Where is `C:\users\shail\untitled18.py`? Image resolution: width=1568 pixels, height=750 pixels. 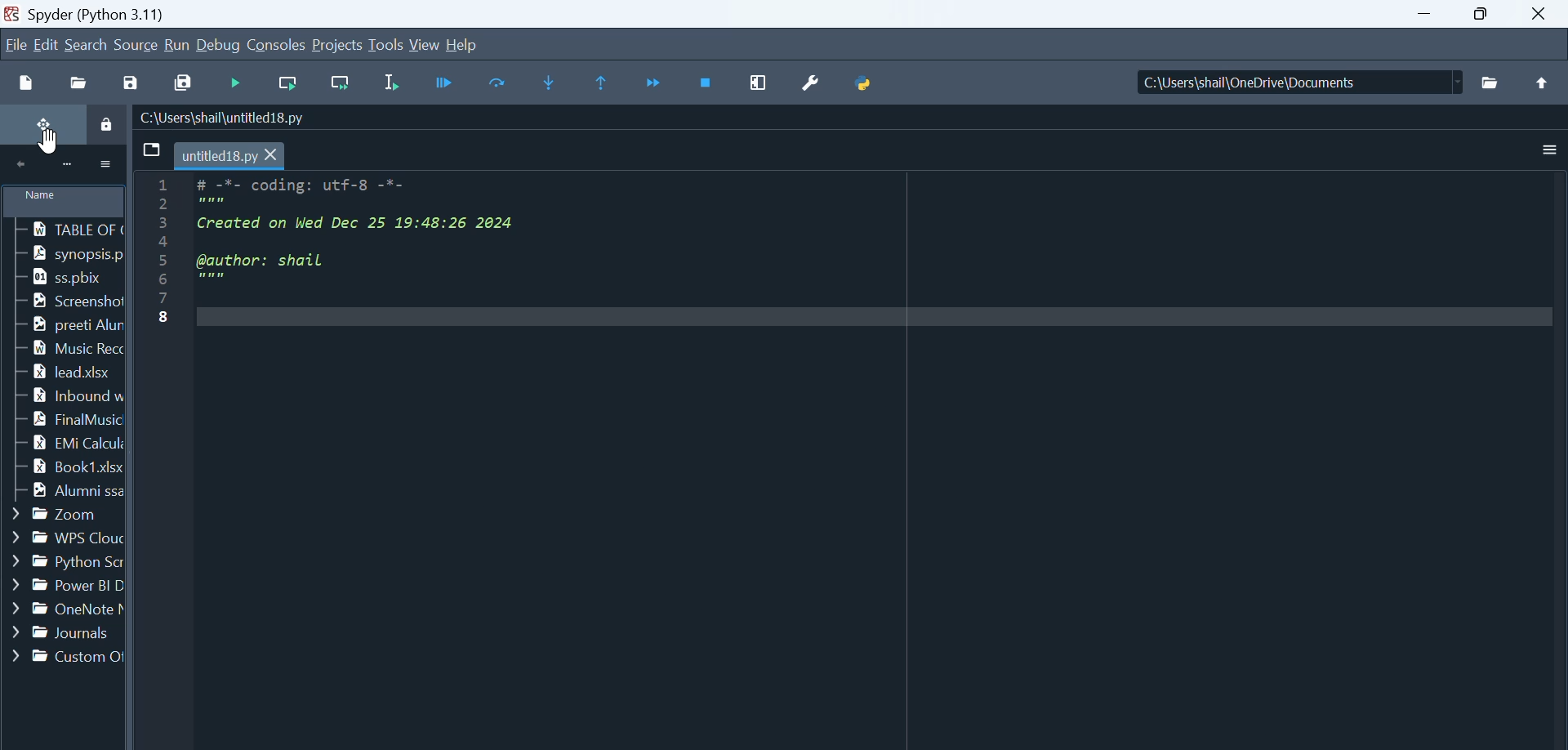
C:\users\shail\untitled18.py is located at coordinates (223, 118).